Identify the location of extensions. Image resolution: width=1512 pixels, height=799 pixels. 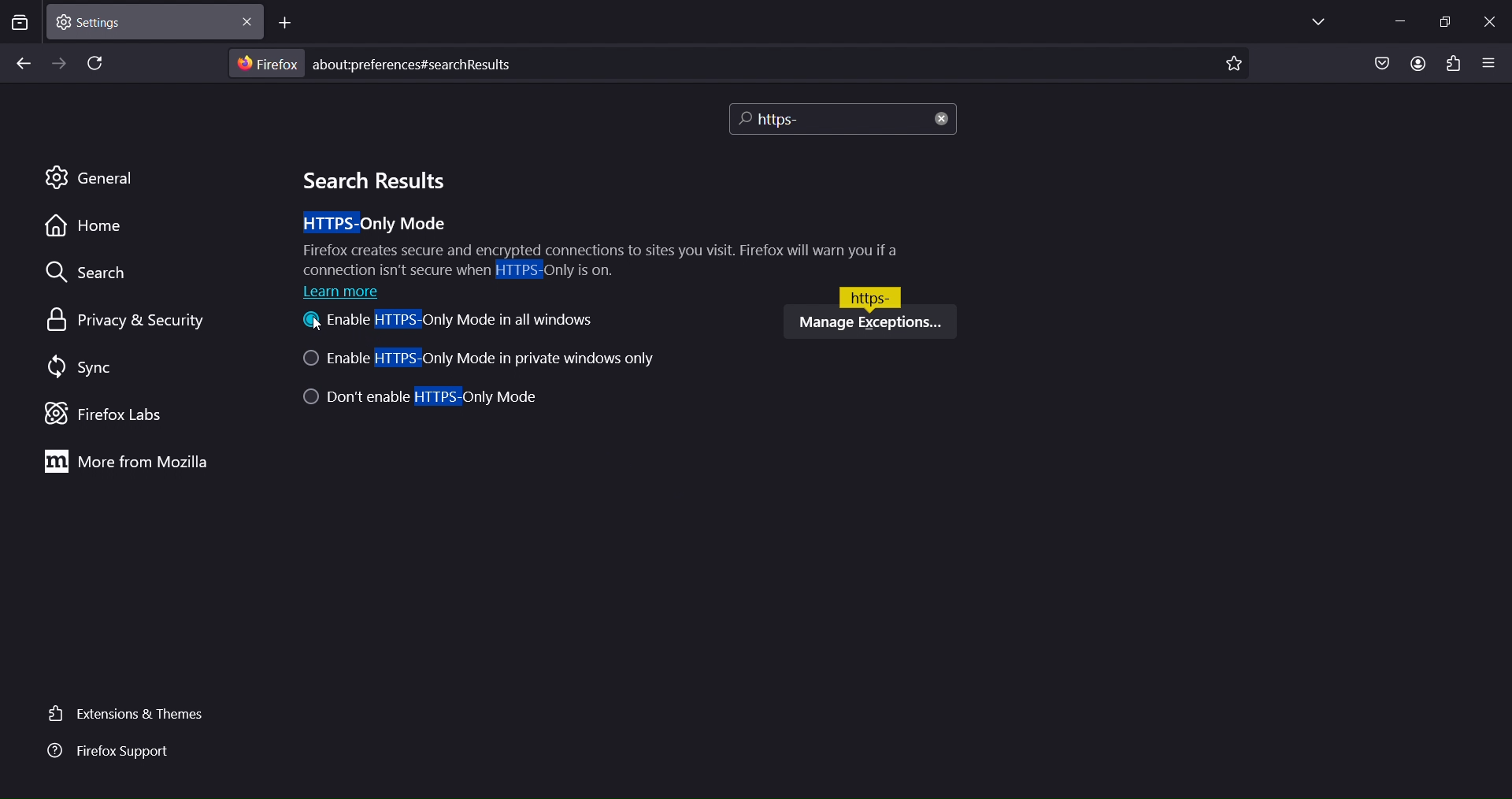
(1454, 65).